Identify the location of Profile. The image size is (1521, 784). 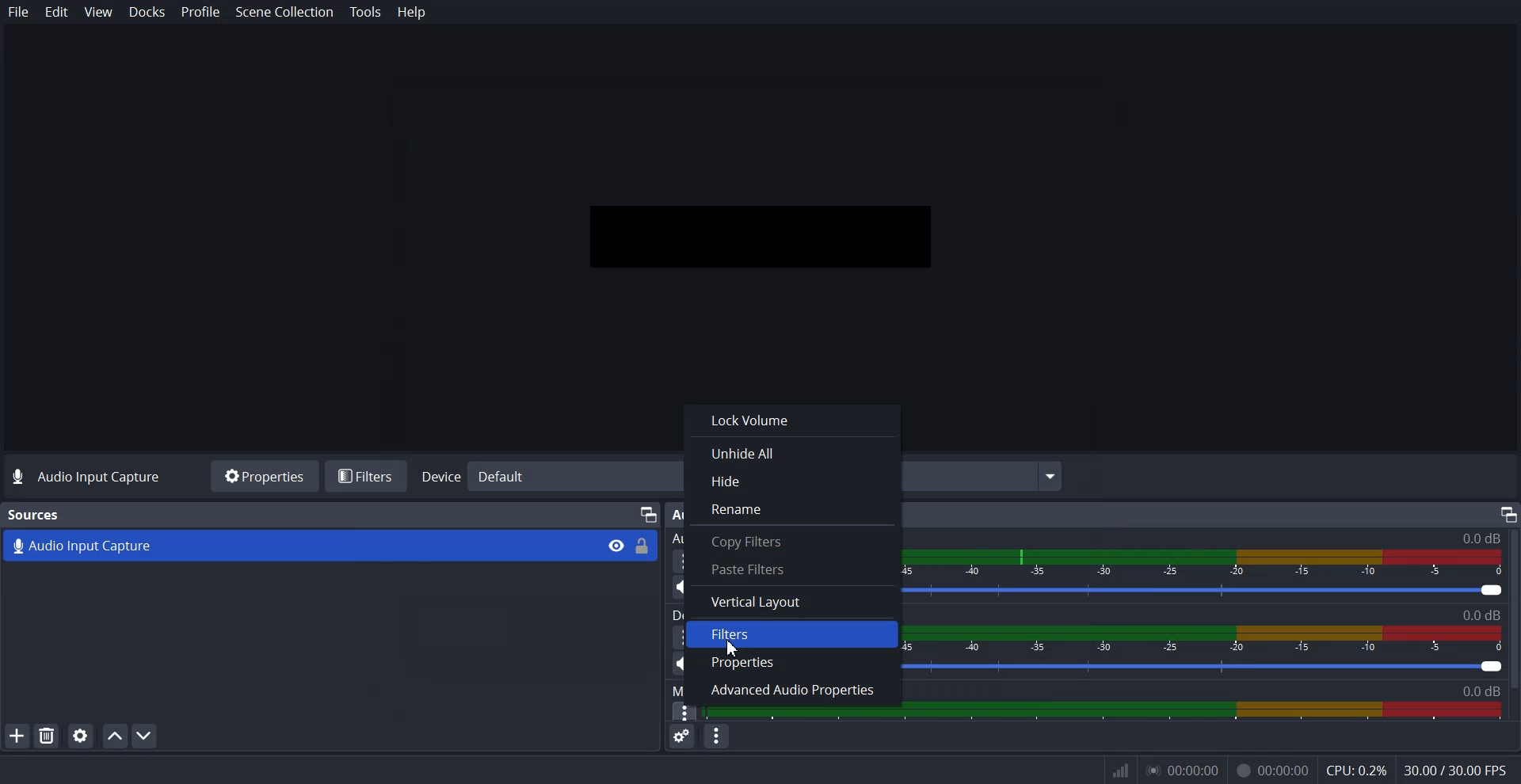
(200, 12).